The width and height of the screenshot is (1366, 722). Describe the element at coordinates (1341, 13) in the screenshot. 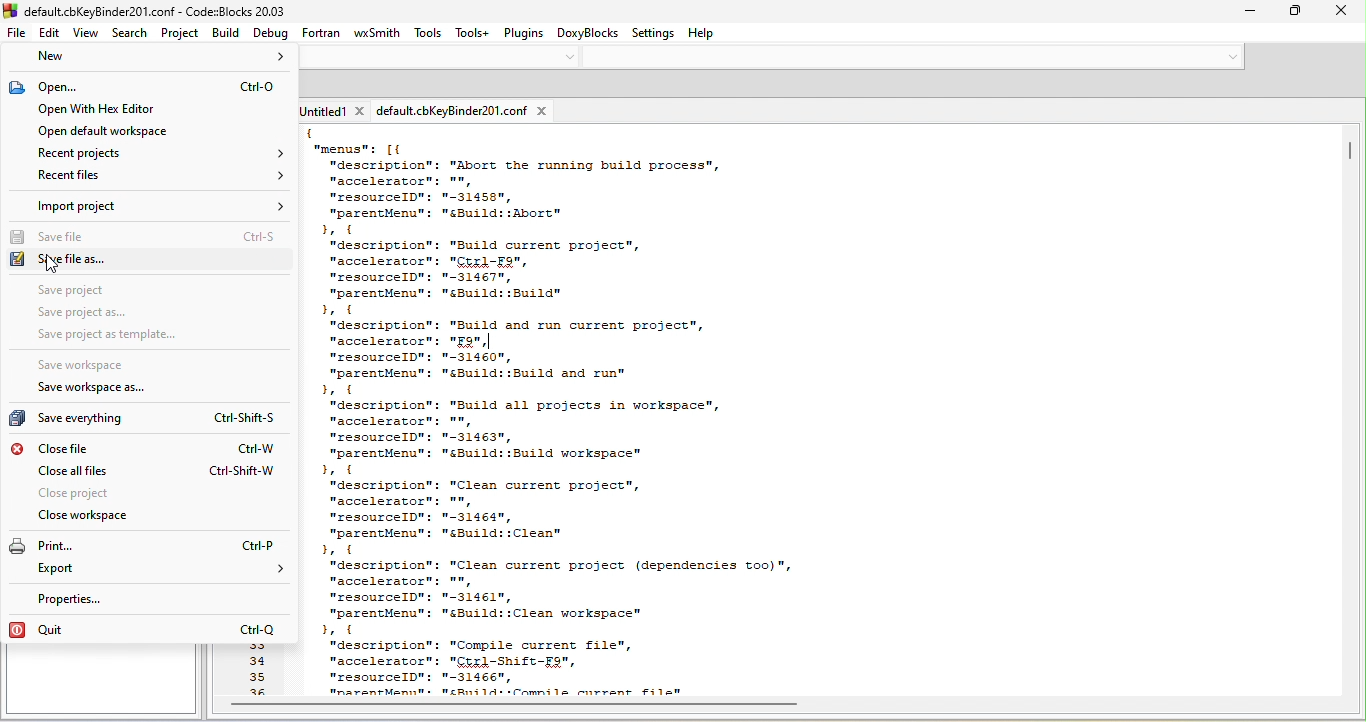

I see `close` at that location.